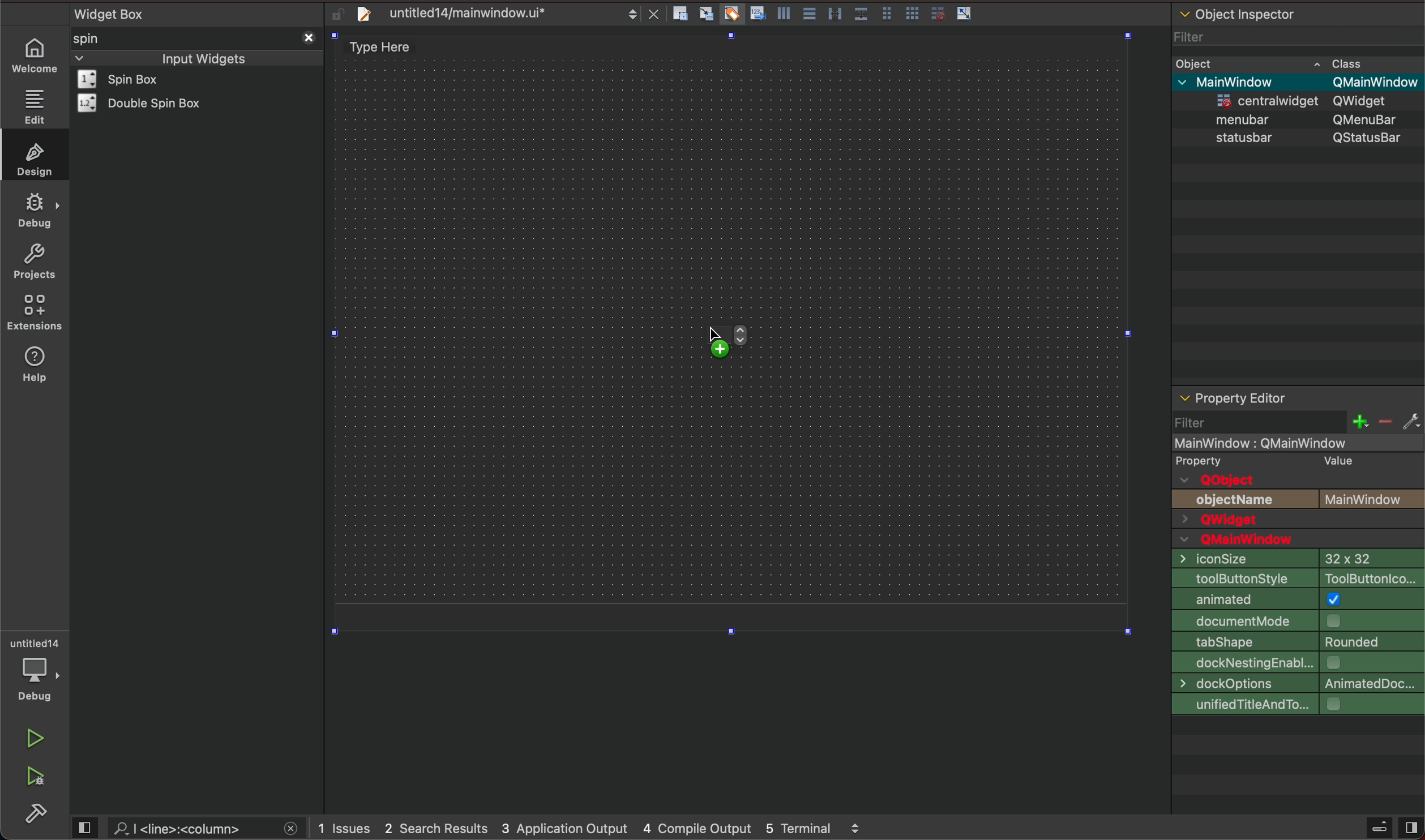 This screenshot has height=840, width=1425. What do you see at coordinates (36, 56) in the screenshot?
I see `WELCOME` at bounding box center [36, 56].